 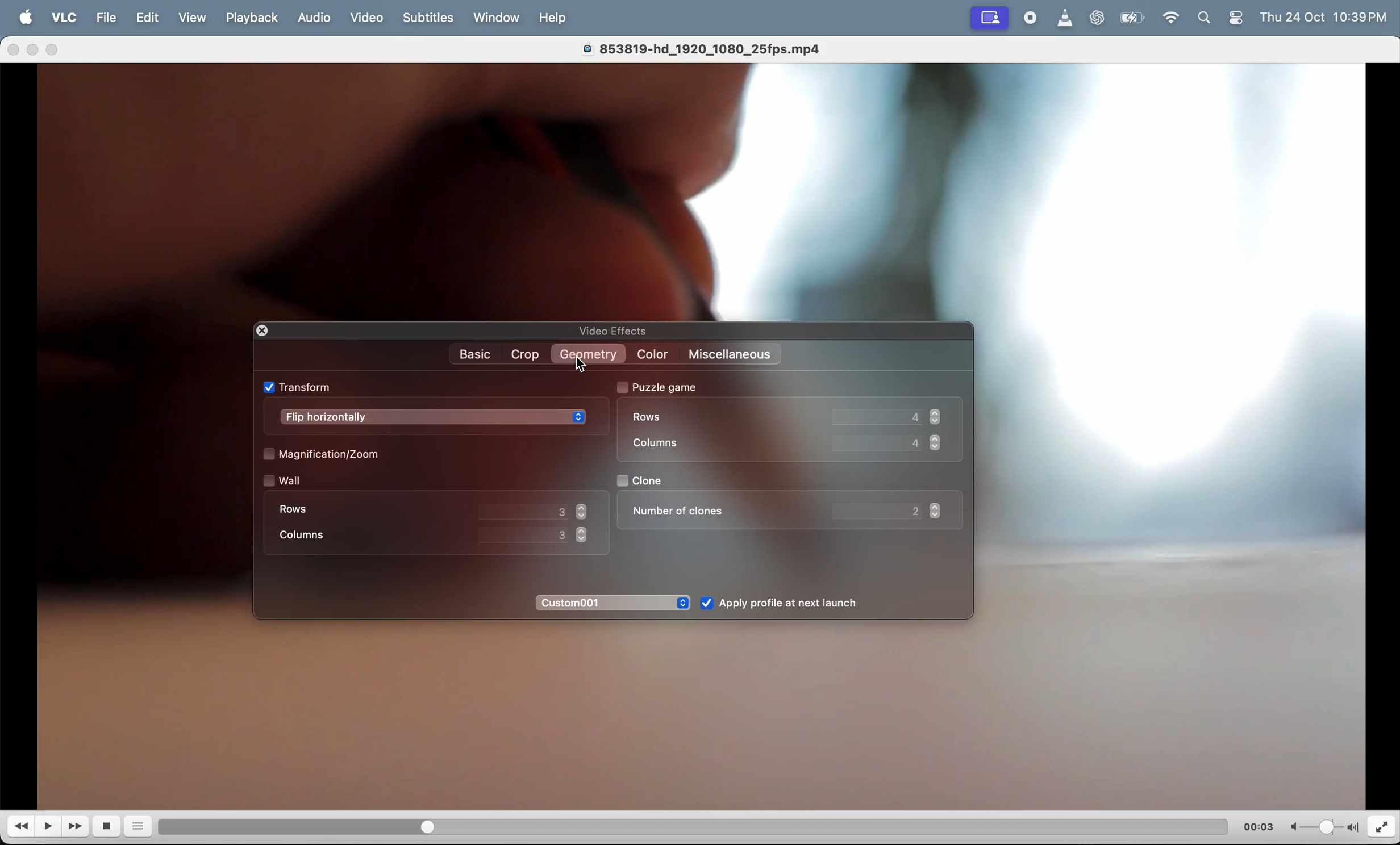 I want to click on playback, so click(x=253, y=17).